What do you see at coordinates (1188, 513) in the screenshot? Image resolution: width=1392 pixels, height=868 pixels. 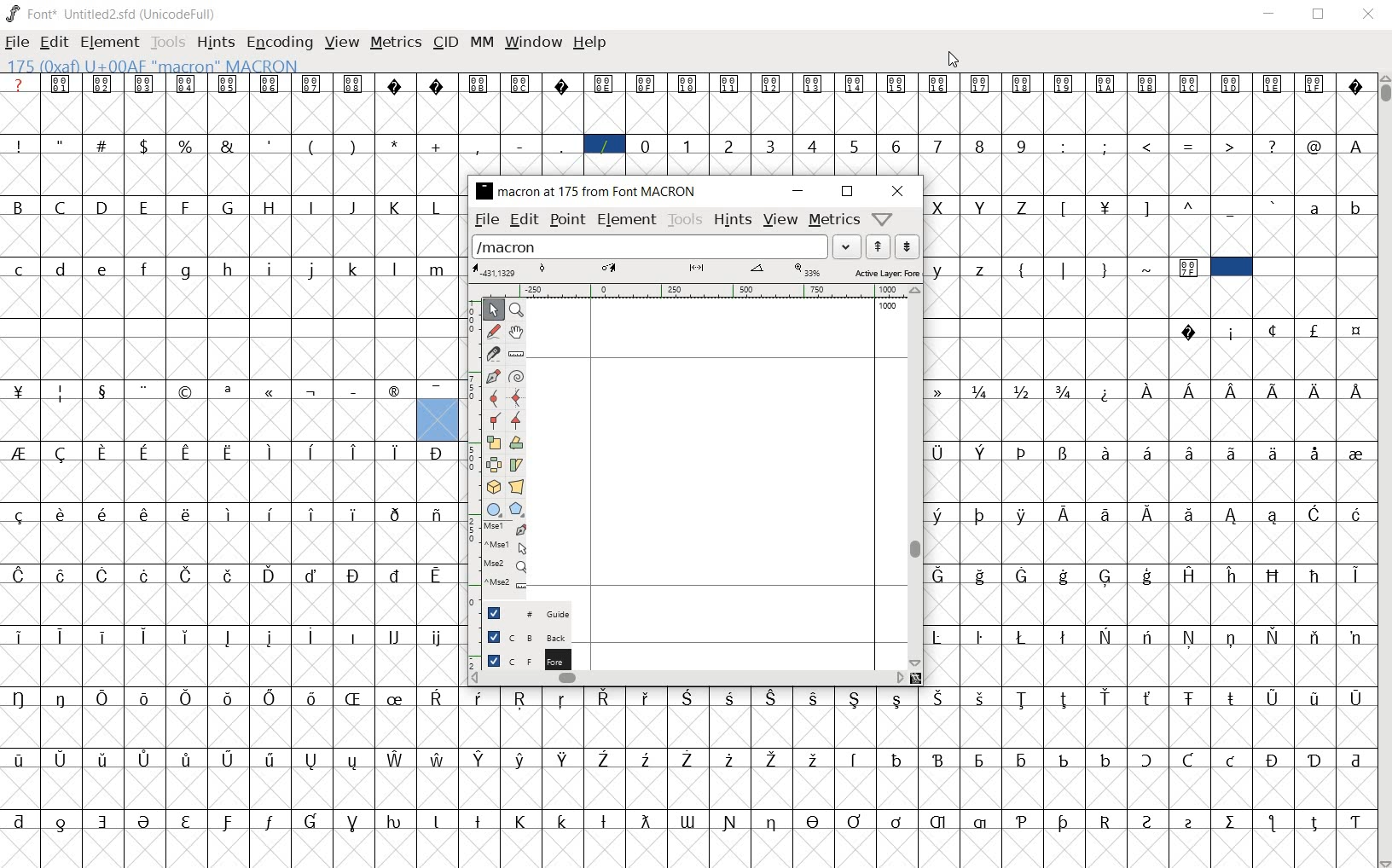 I see `Symbol` at bounding box center [1188, 513].